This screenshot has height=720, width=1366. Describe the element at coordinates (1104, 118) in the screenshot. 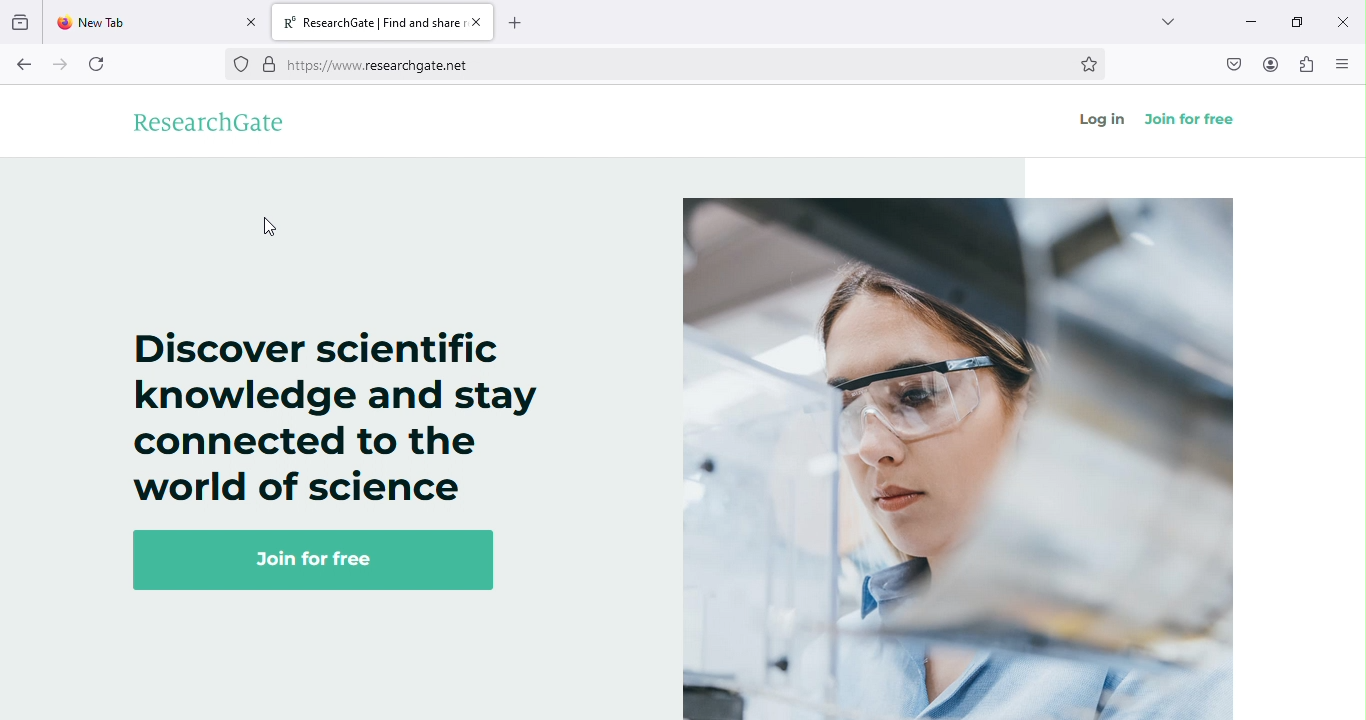

I see `log in` at that location.